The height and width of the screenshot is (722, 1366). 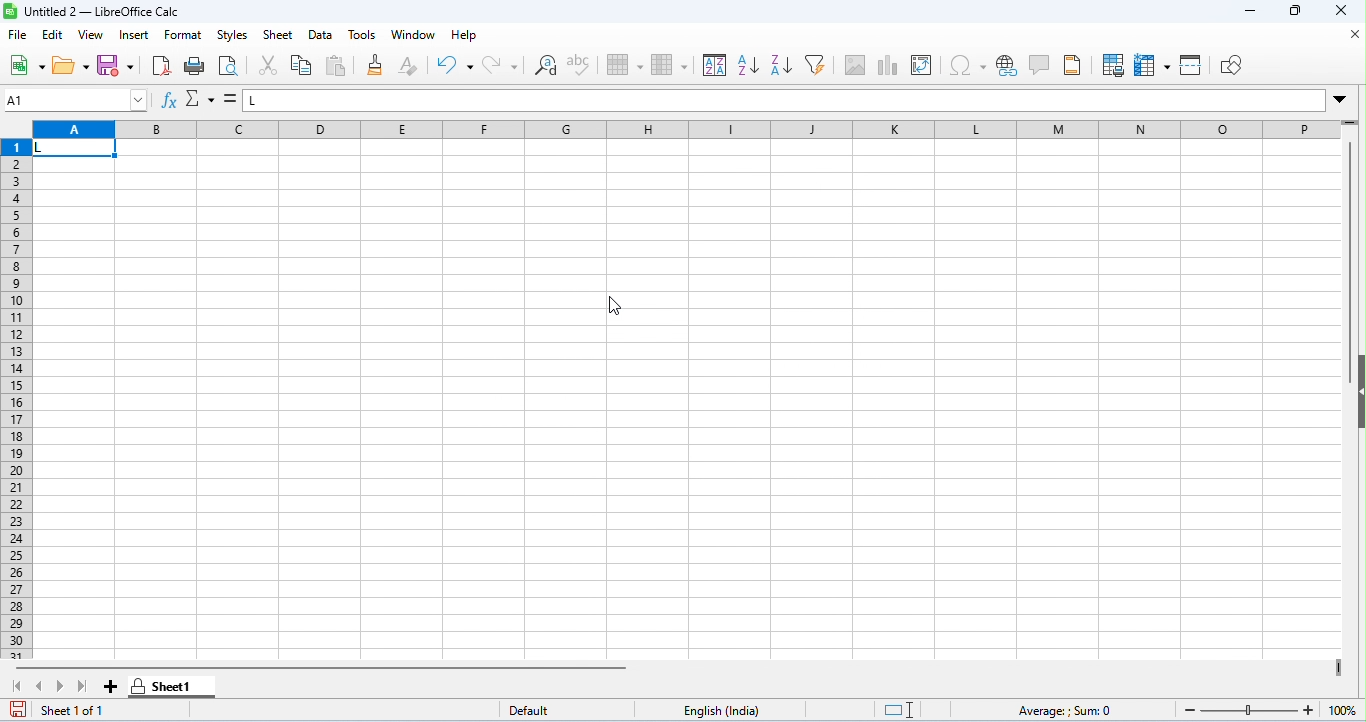 I want to click on select function, so click(x=200, y=100).